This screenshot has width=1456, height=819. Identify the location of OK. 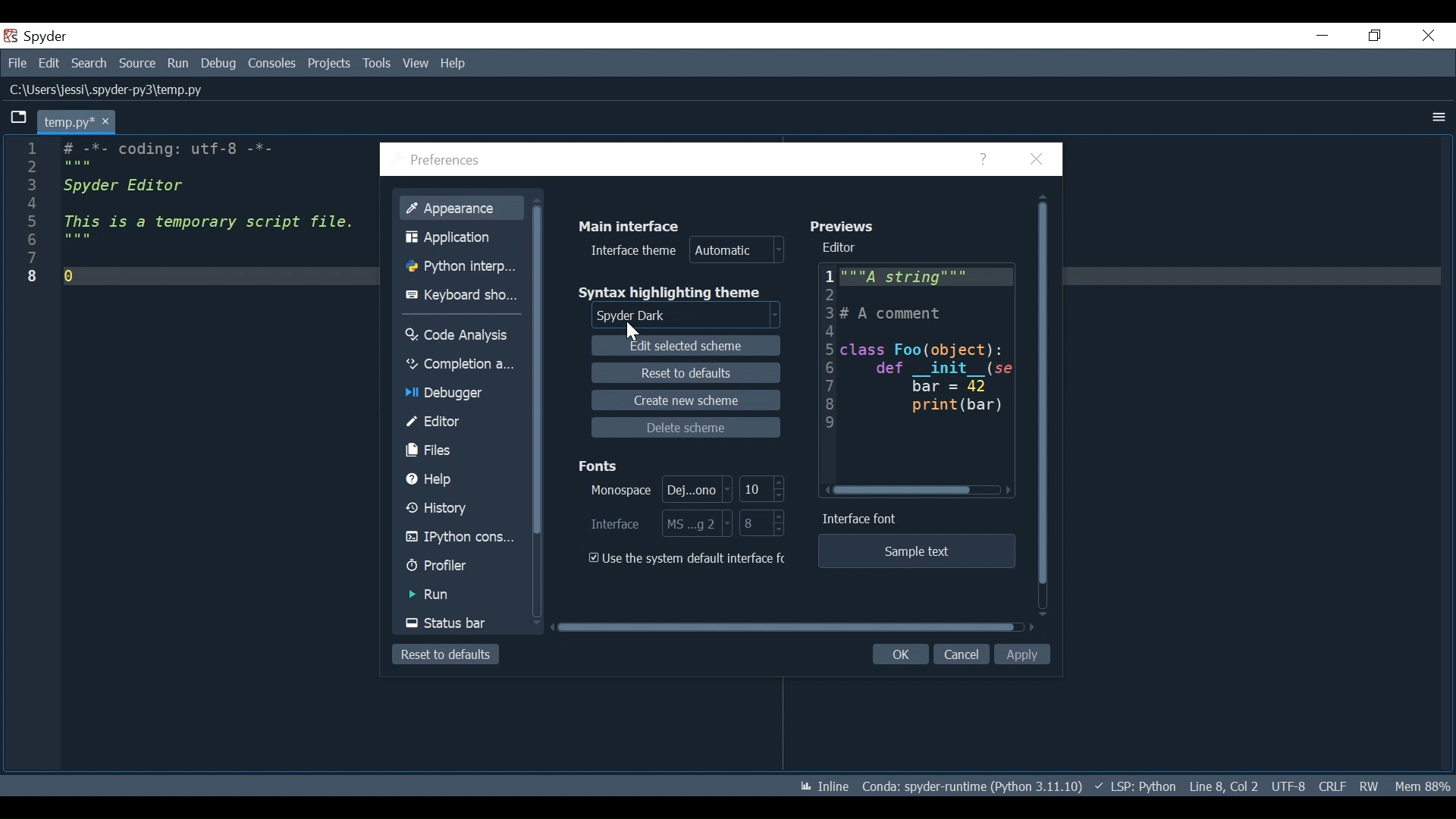
(902, 654).